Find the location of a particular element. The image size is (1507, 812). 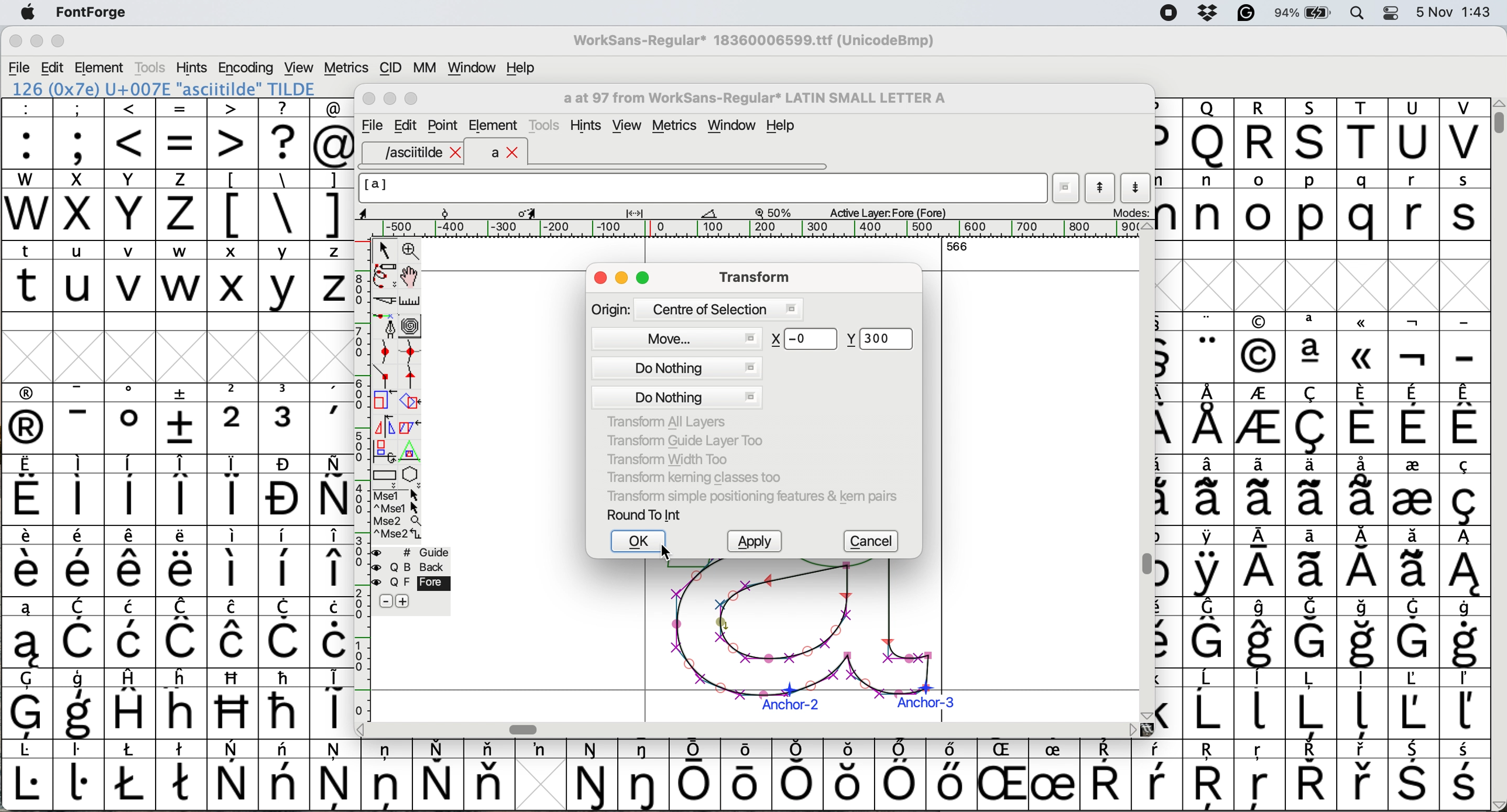

symbol is located at coordinates (1412, 703).